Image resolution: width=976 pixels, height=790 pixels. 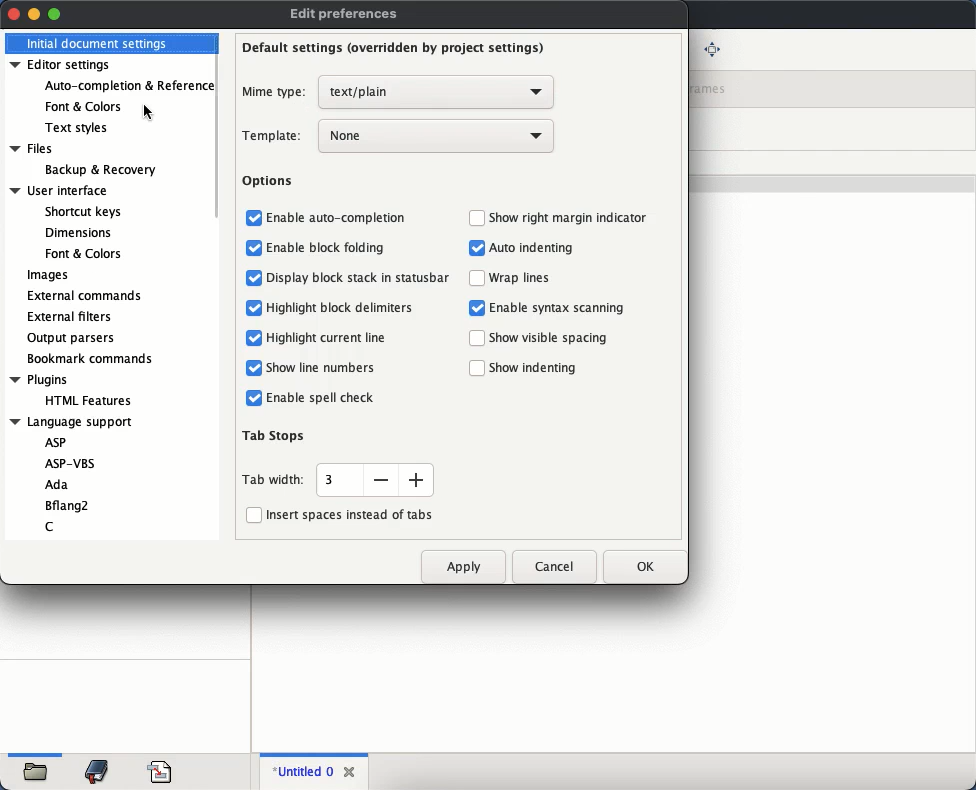 What do you see at coordinates (521, 369) in the screenshot?
I see `show indenting` at bounding box center [521, 369].